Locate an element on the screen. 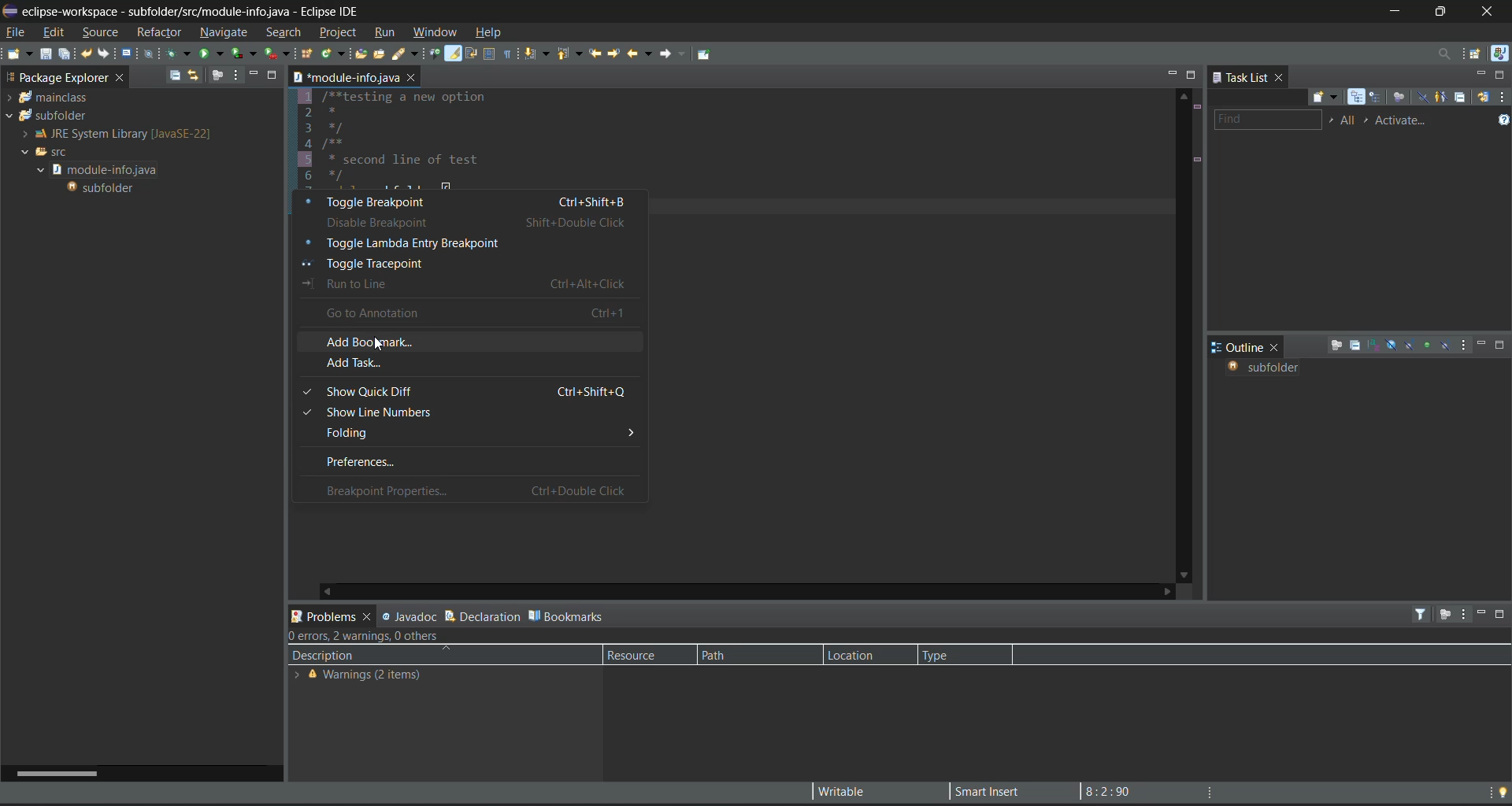 This screenshot has height=806, width=1512. toggle tracepoint is located at coordinates (473, 261).